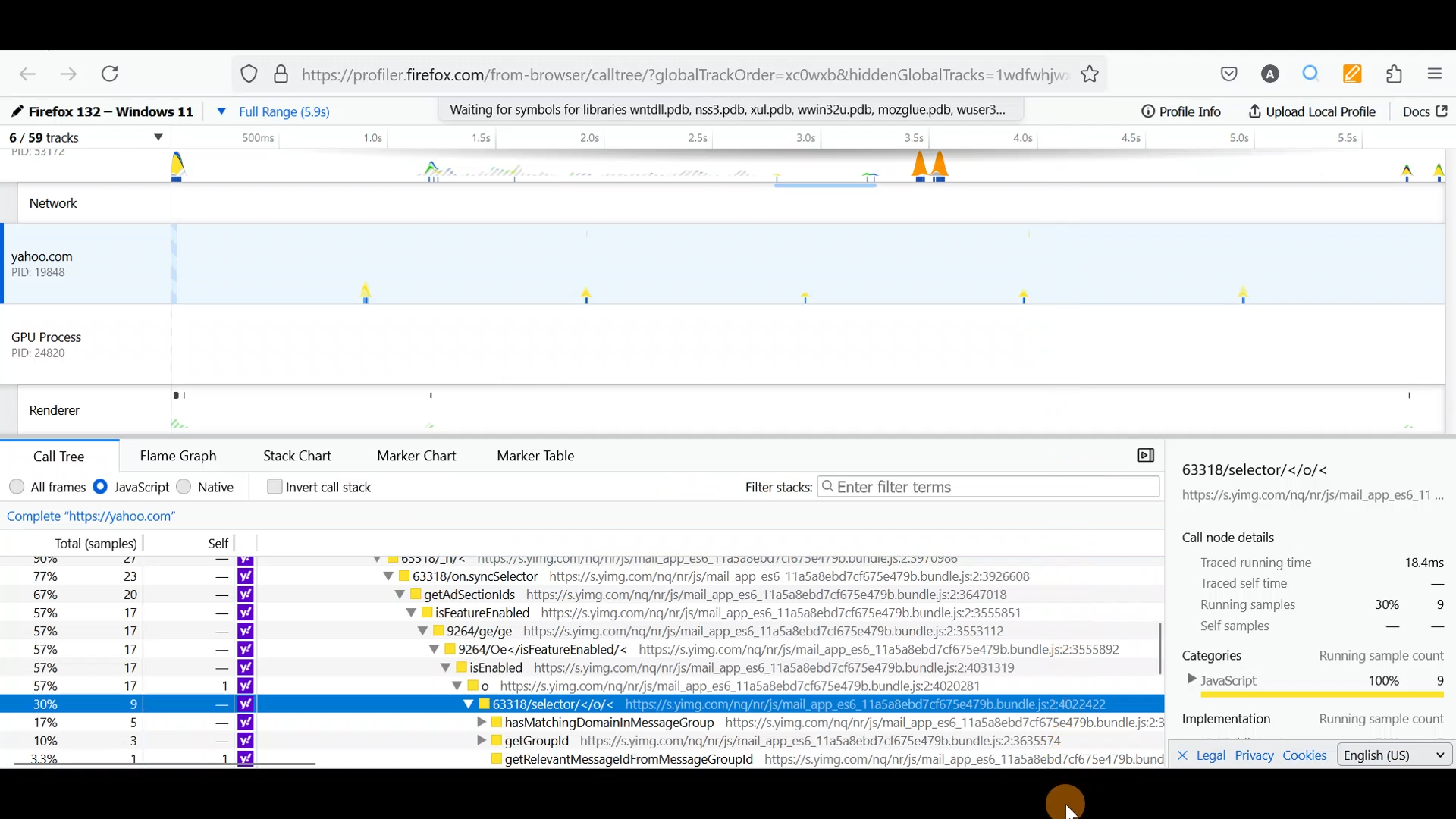 The width and height of the screenshot is (1456, 819). What do you see at coordinates (67, 74) in the screenshot?
I see `Go forward one page` at bounding box center [67, 74].